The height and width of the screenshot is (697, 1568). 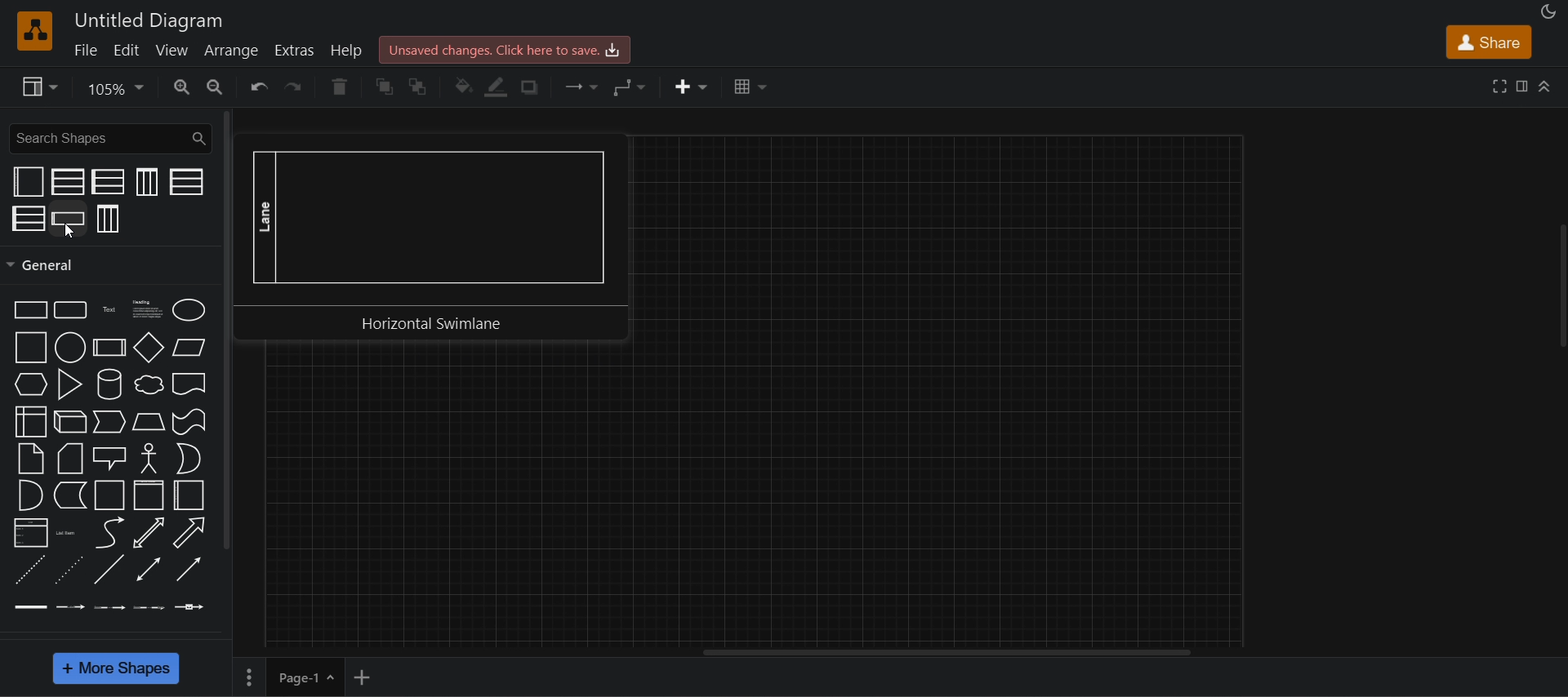 What do you see at coordinates (68, 570) in the screenshot?
I see `dotted line` at bounding box center [68, 570].